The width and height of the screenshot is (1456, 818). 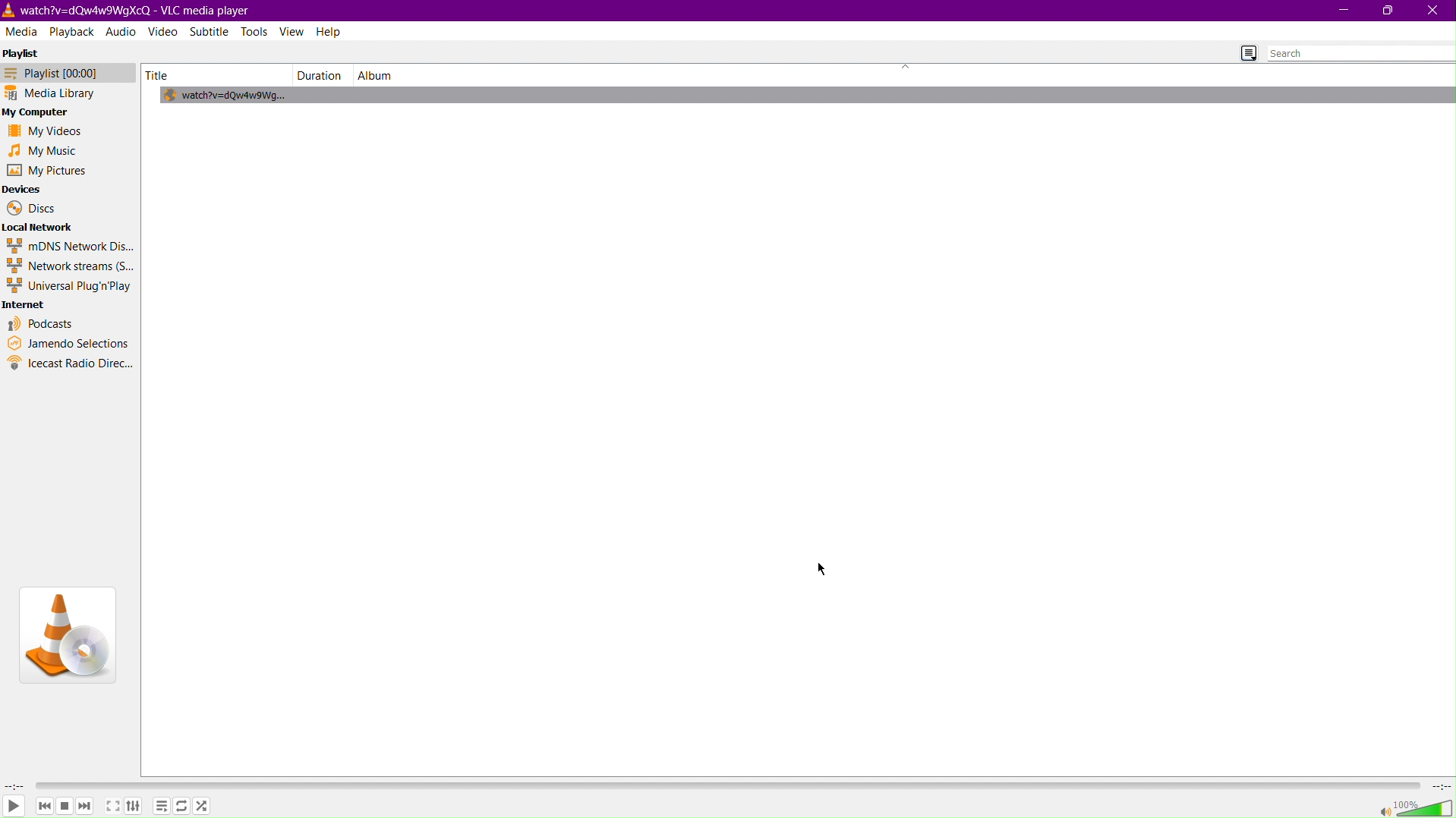 What do you see at coordinates (136, 10) in the screenshot?
I see `VLC Media` at bounding box center [136, 10].